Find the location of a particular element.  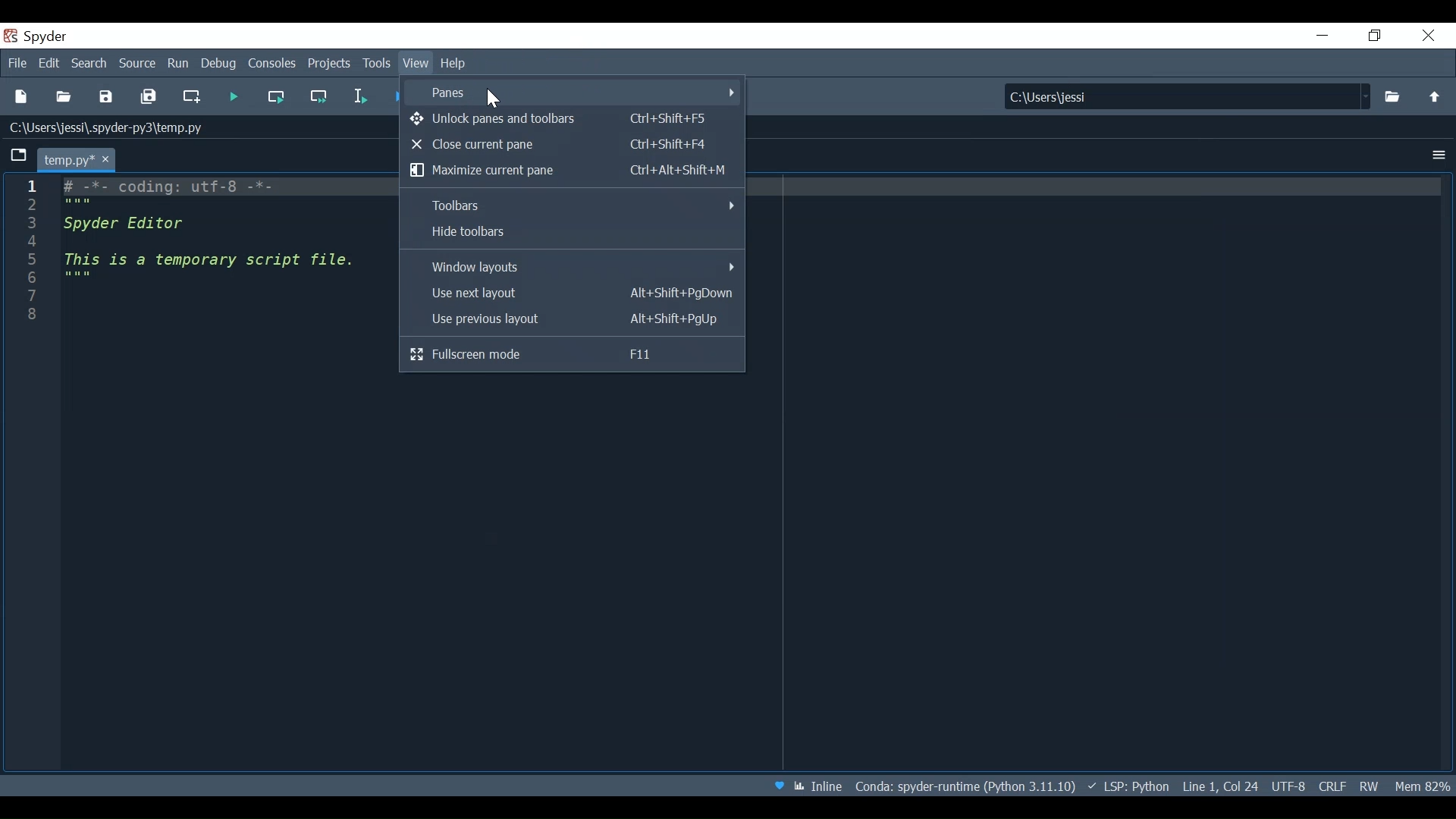

Language is located at coordinates (1127, 784).